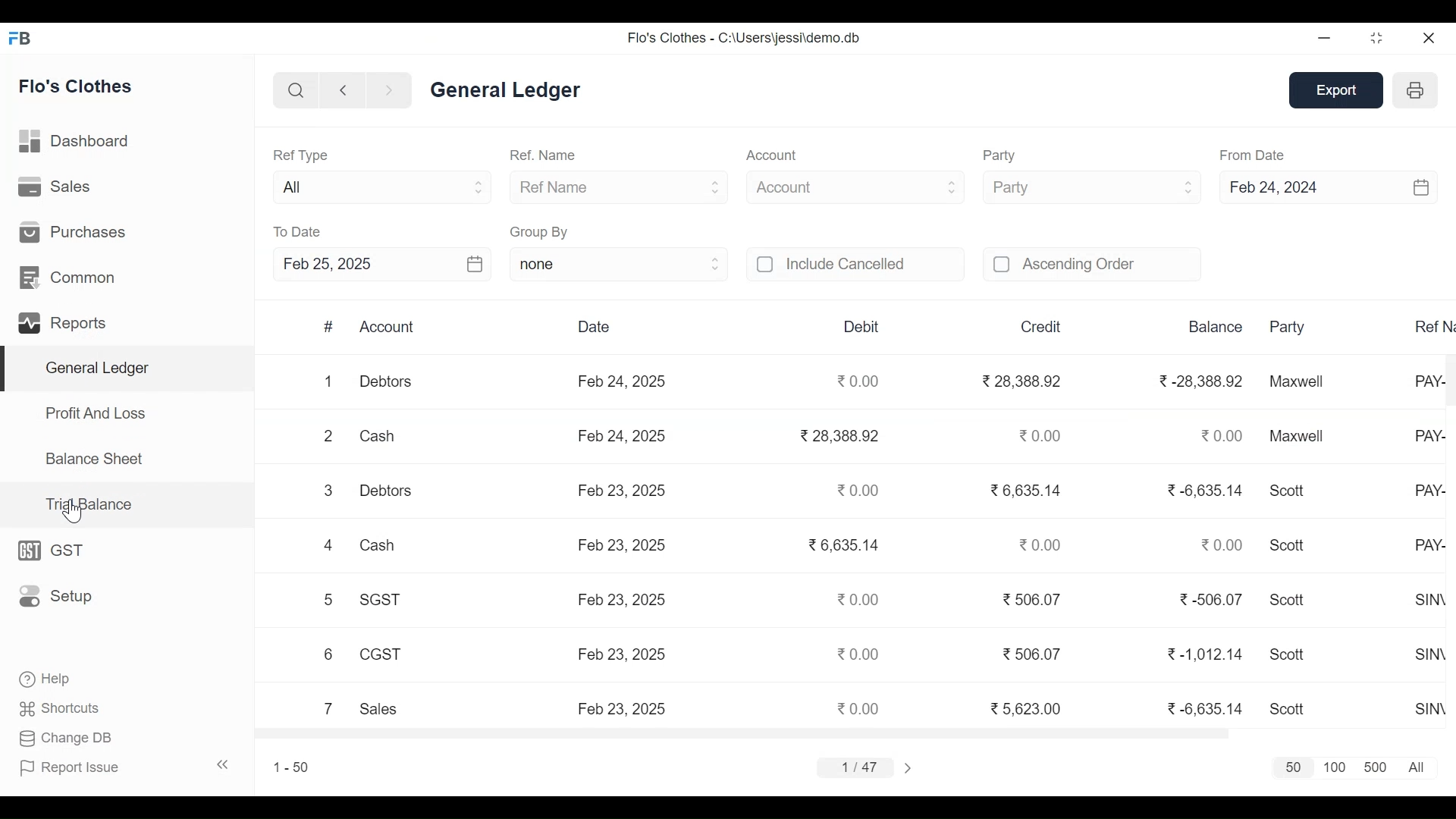 The width and height of the screenshot is (1456, 819). What do you see at coordinates (326, 491) in the screenshot?
I see `3` at bounding box center [326, 491].